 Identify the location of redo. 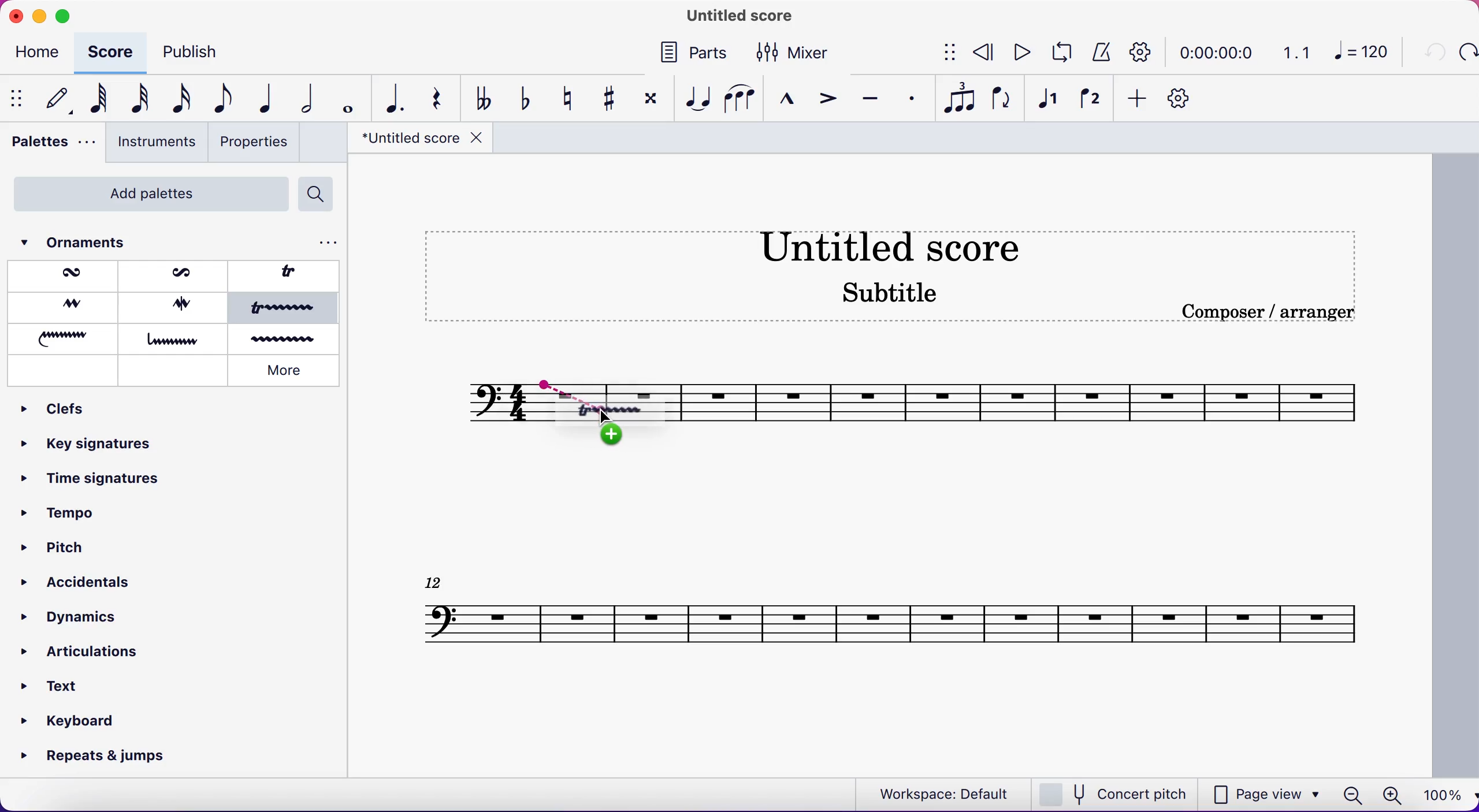
(1467, 53).